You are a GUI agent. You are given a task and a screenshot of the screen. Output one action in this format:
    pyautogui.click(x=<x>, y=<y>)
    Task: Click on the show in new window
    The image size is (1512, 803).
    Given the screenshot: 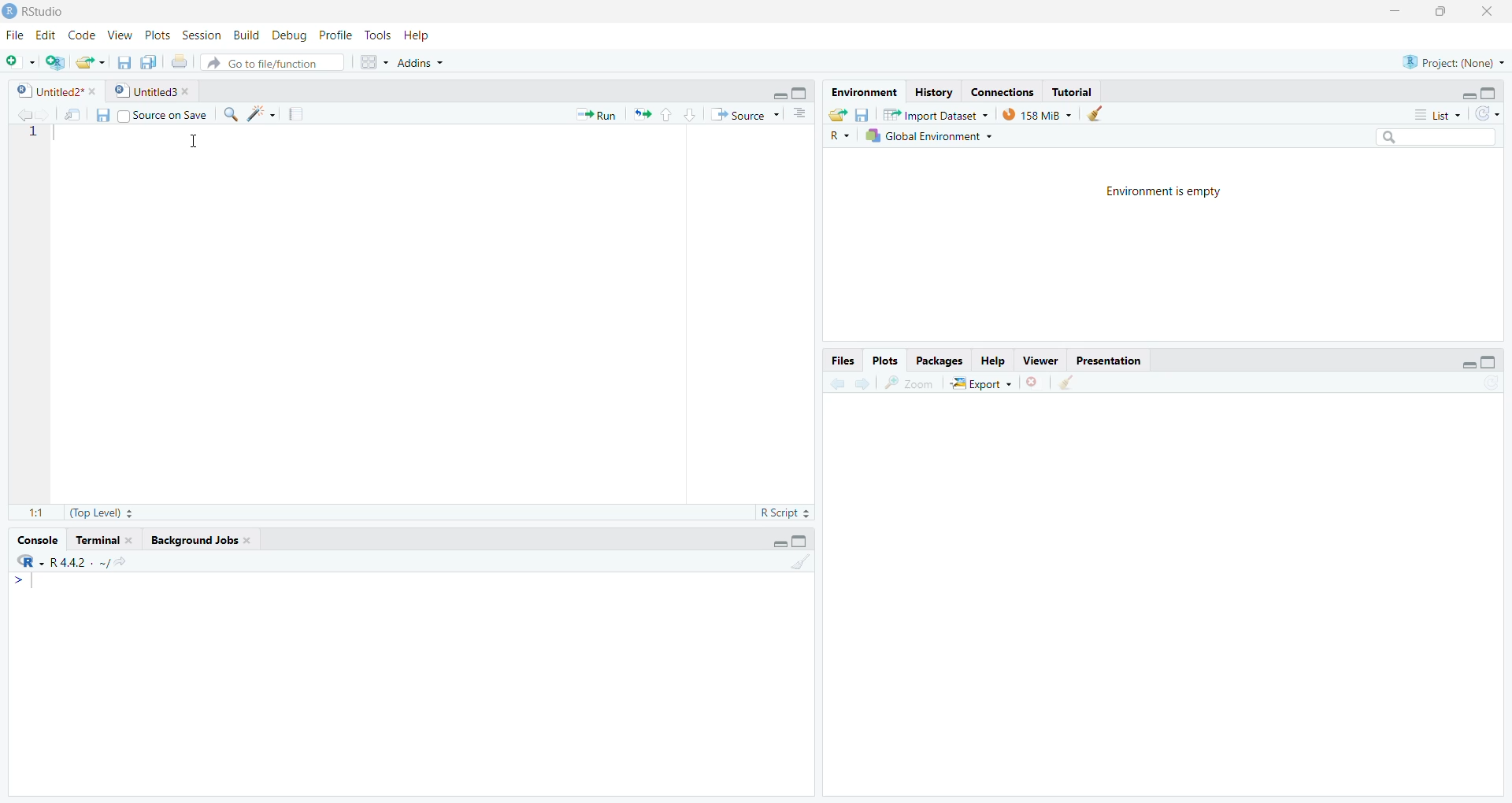 What is the action you would take?
    pyautogui.click(x=1078, y=382)
    